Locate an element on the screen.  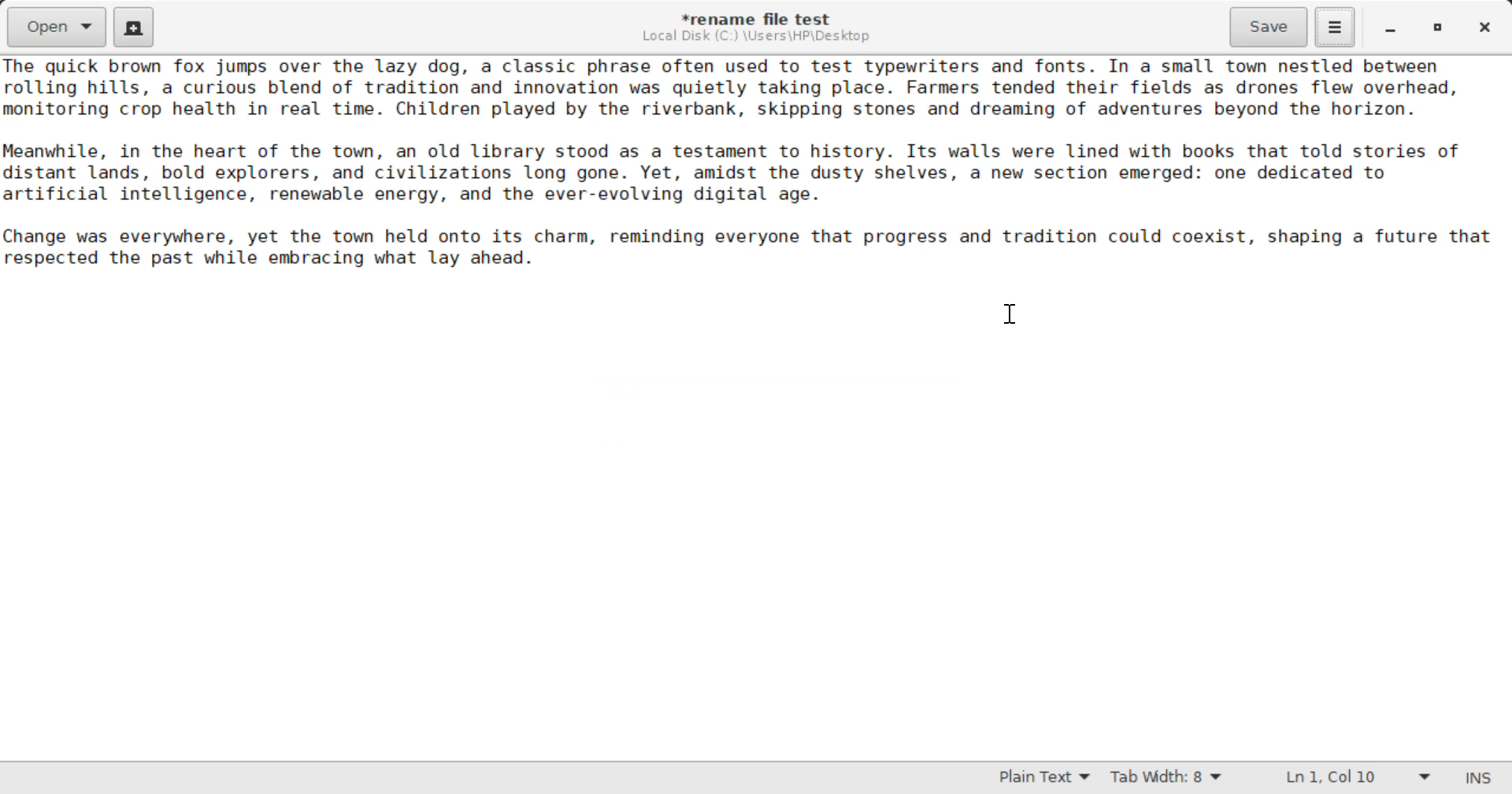
Restore Down is located at coordinates (1393, 27).